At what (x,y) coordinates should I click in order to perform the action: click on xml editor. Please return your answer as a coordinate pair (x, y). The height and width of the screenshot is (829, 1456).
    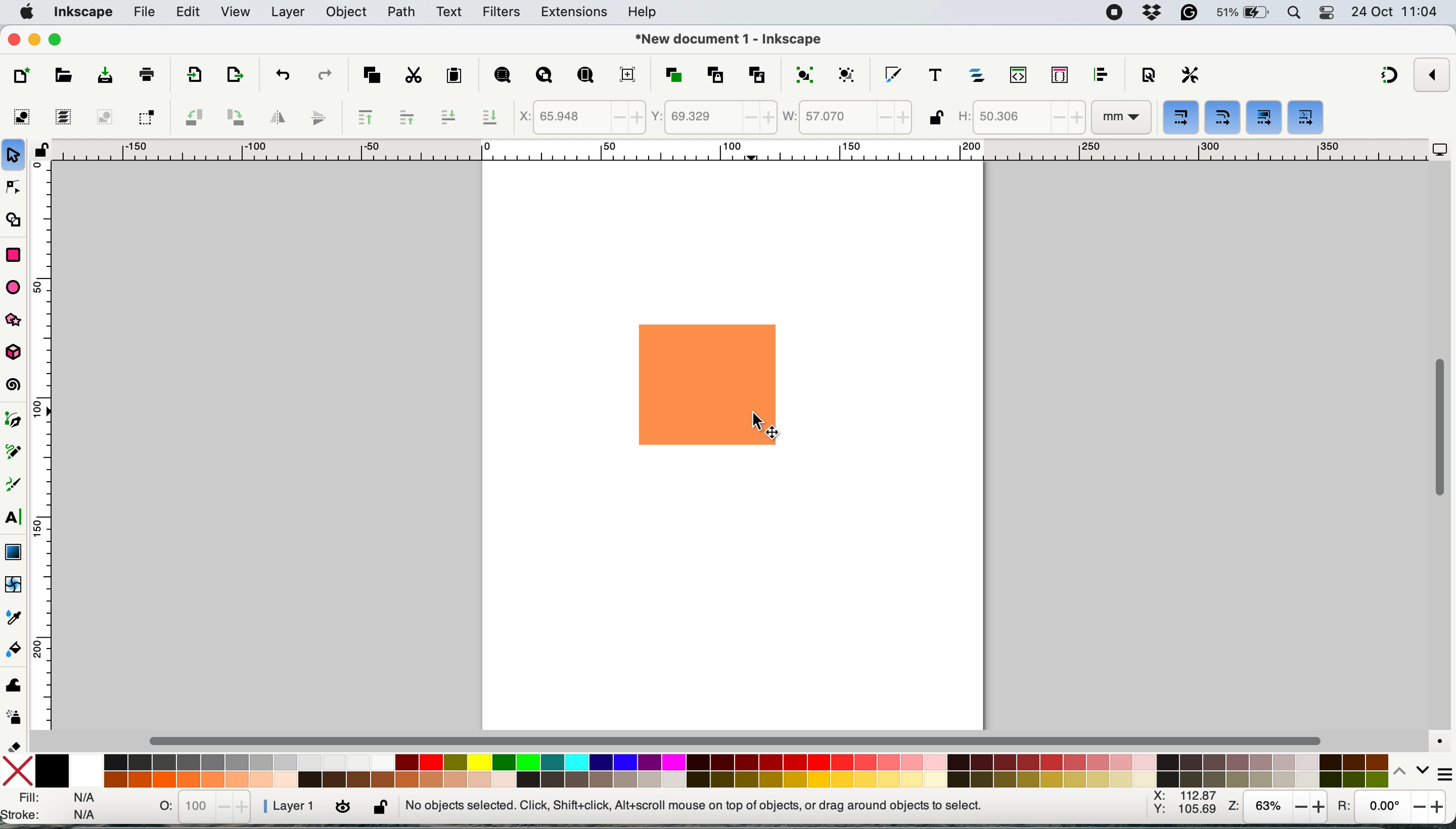
    Looking at the image, I should click on (1016, 75).